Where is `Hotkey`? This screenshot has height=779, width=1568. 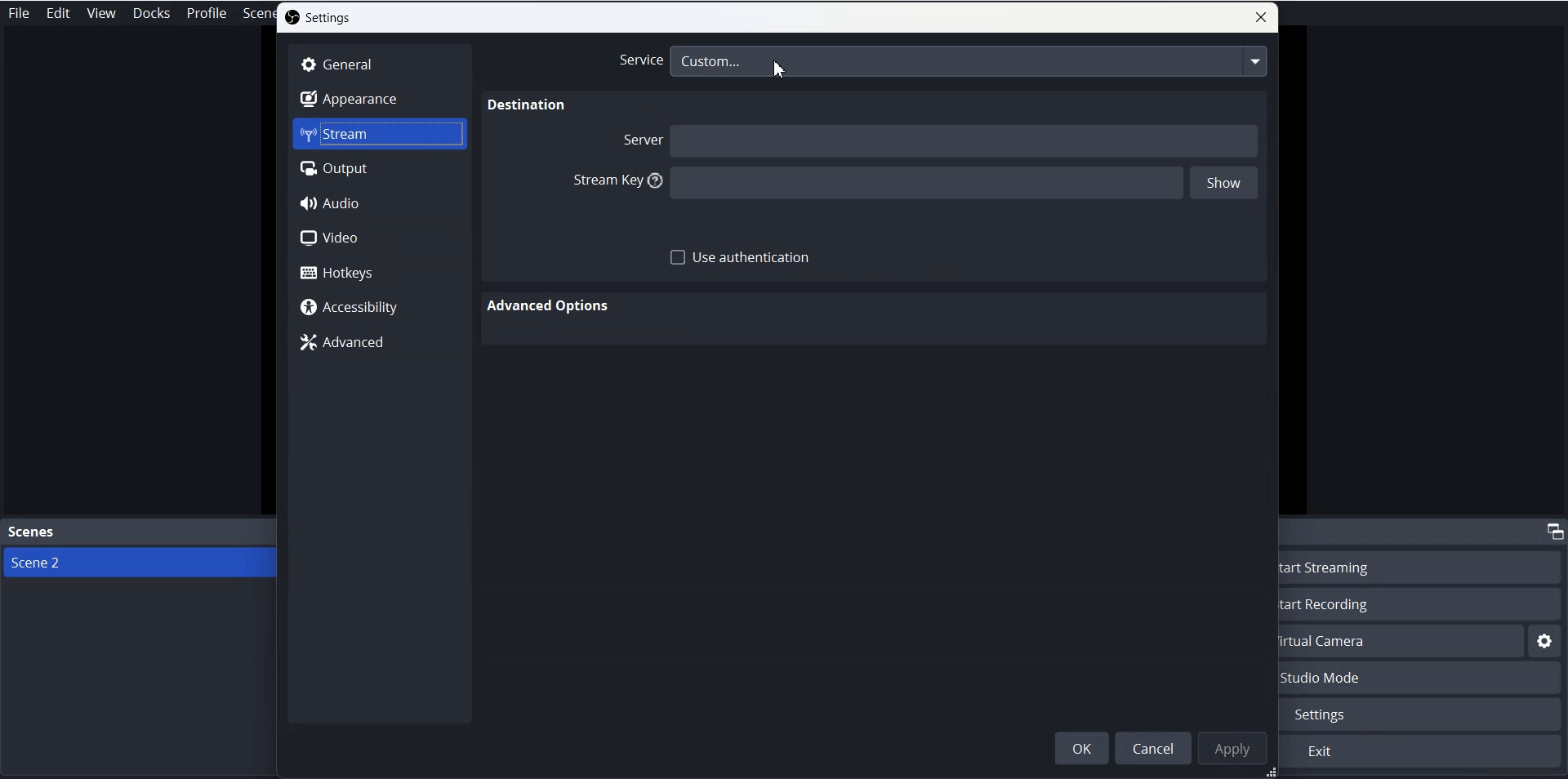
Hotkey is located at coordinates (379, 272).